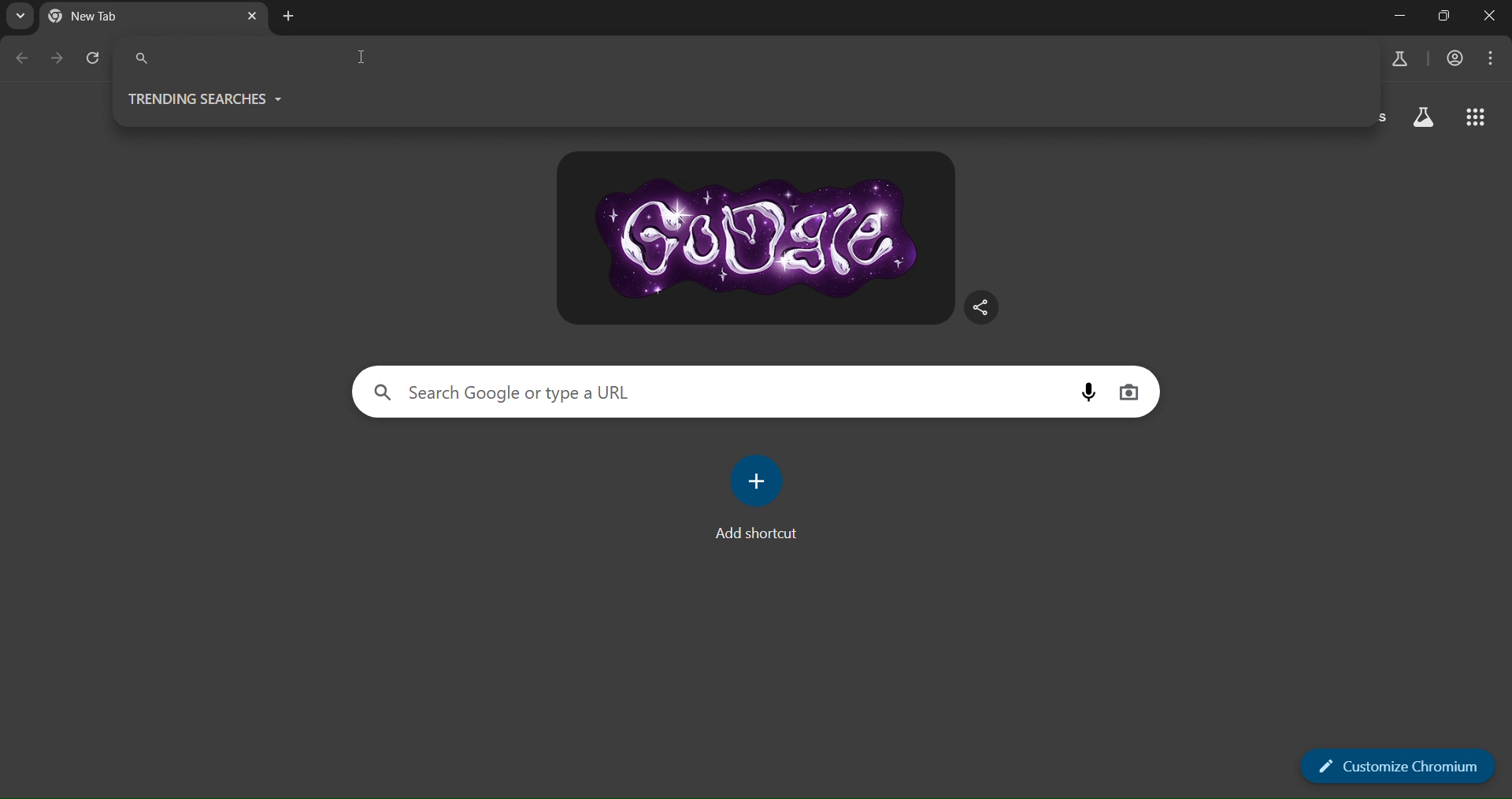 Image resolution: width=1512 pixels, height=799 pixels. I want to click on google, so click(758, 238).